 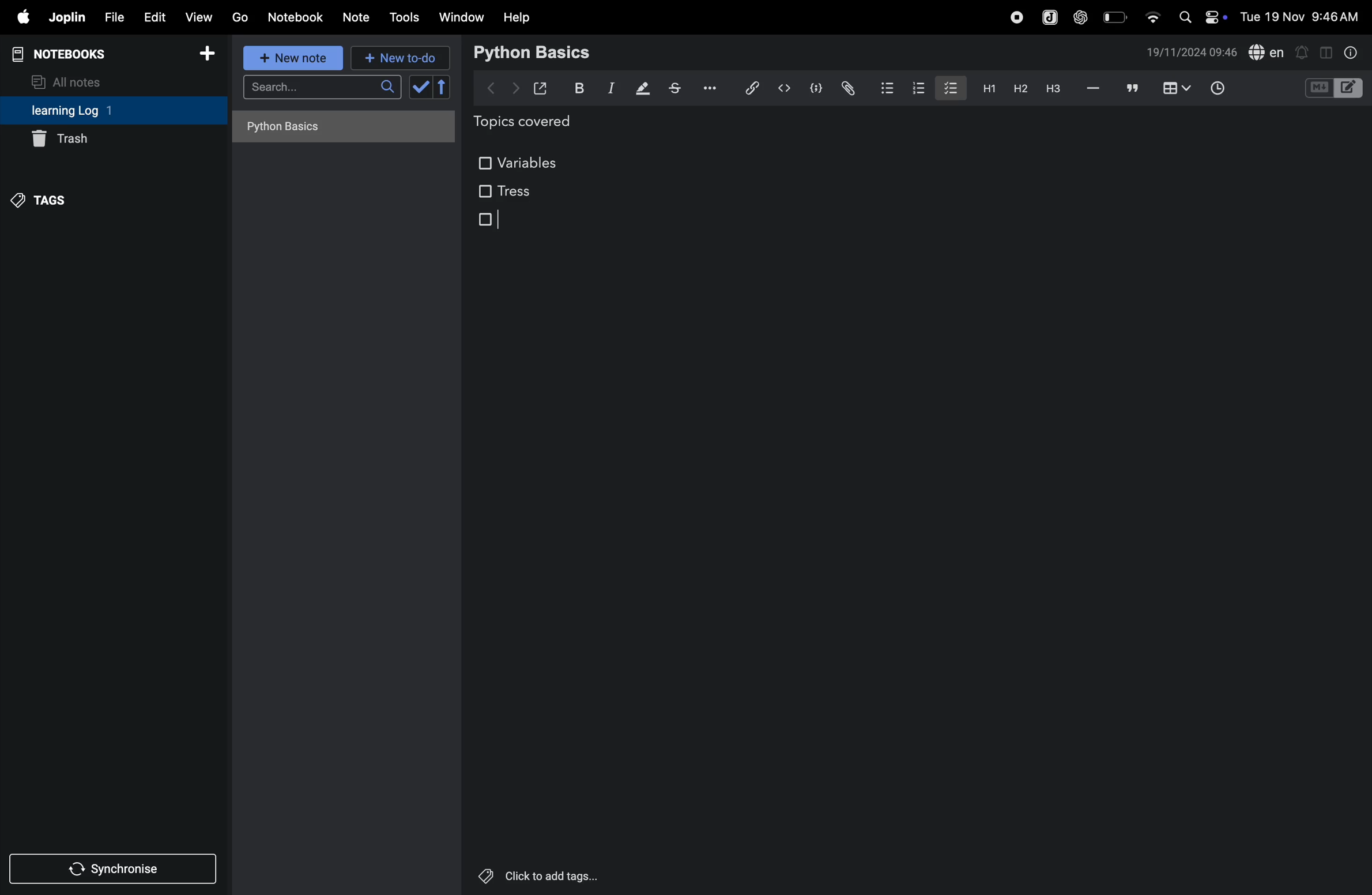 What do you see at coordinates (921, 88) in the screenshot?
I see `numbered list` at bounding box center [921, 88].